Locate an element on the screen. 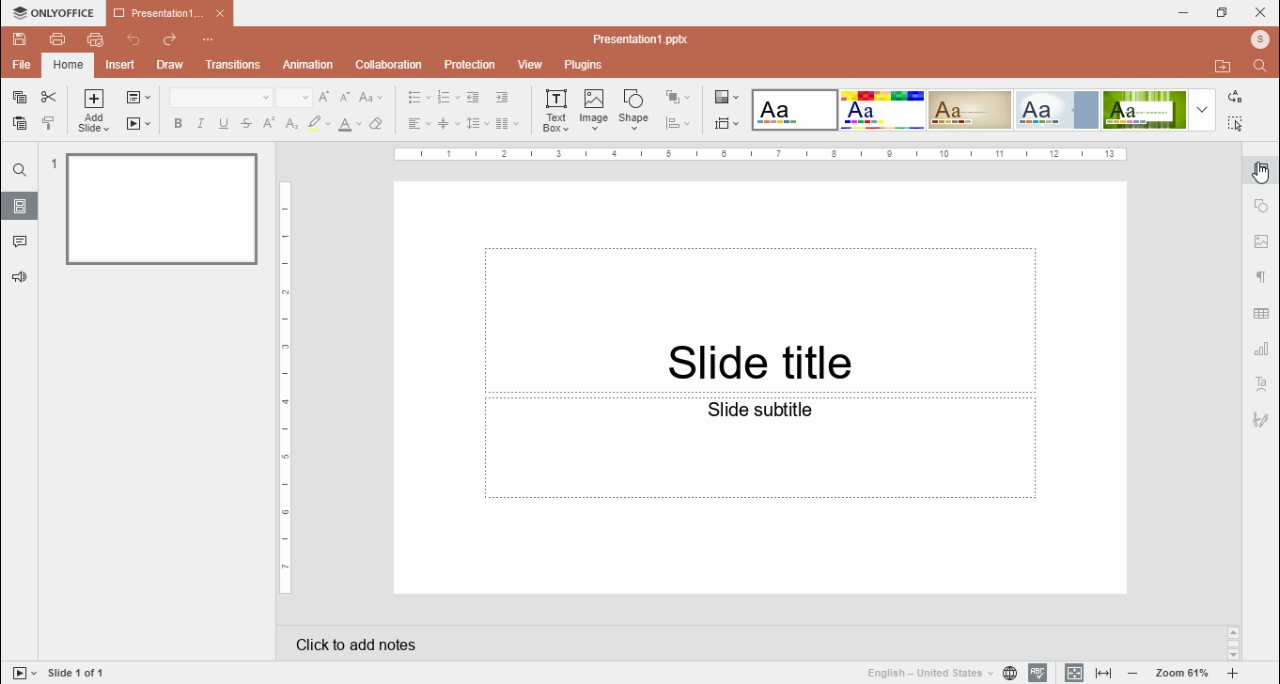 The height and width of the screenshot is (684, 1280). customize quick access toolbar is located at coordinates (207, 40).